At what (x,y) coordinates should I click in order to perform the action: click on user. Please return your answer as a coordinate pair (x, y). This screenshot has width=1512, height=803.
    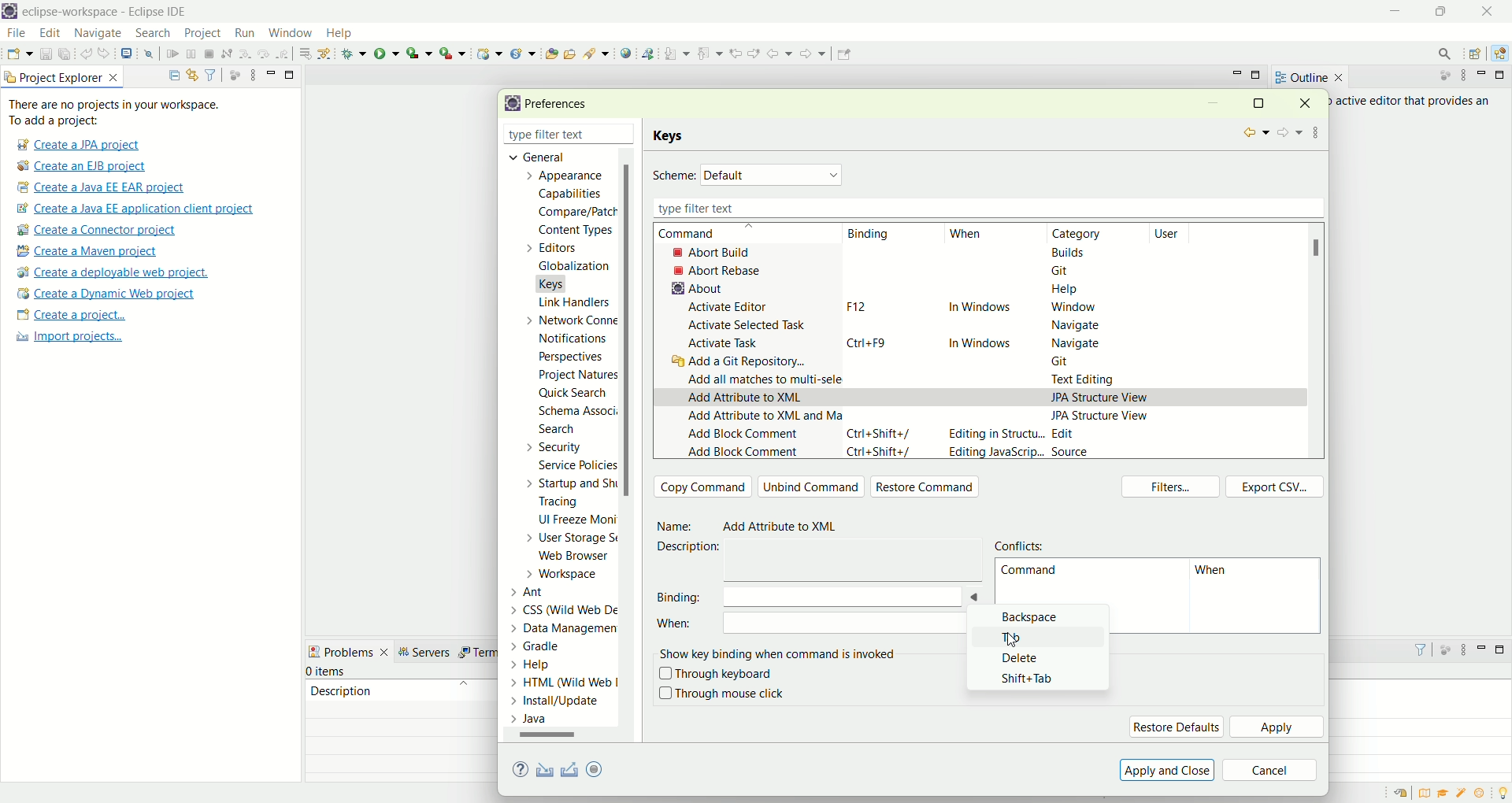
    Looking at the image, I should click on (1176, 233).